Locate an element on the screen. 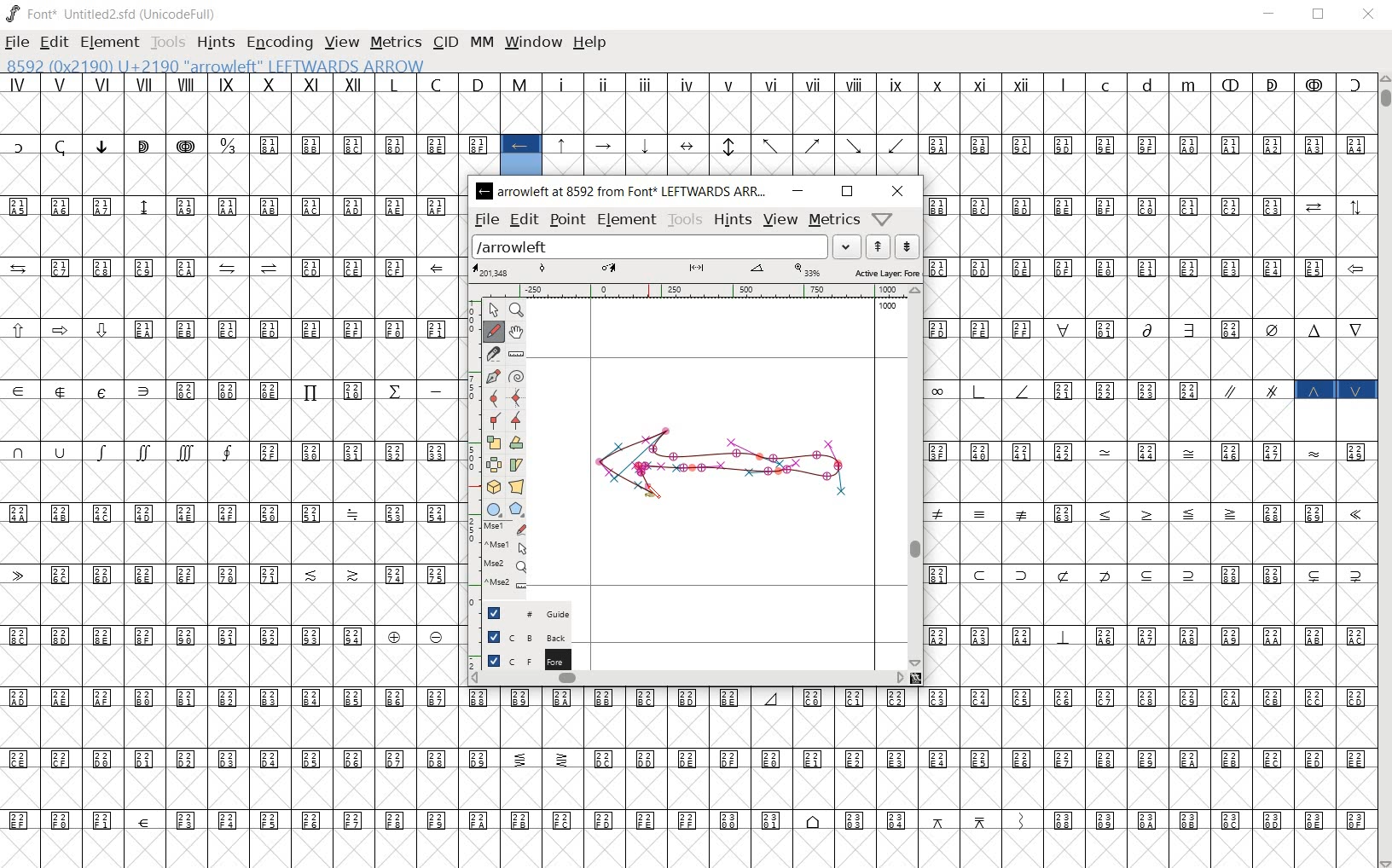 This screenshot has height=868, width=1392. skew the selection is located at coordinates (517, 465).